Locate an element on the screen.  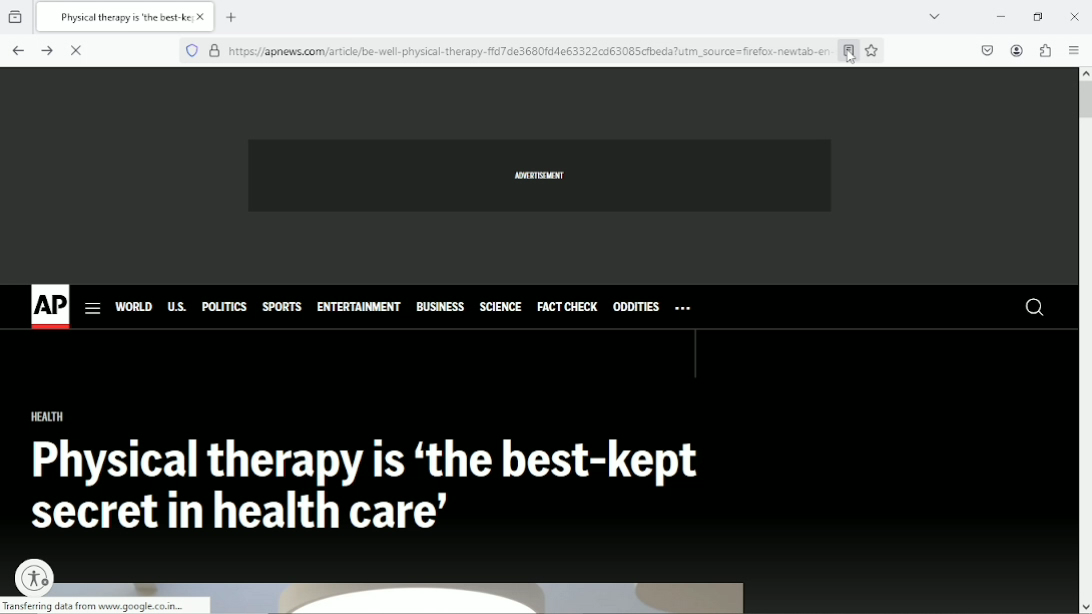
account is located at coordinates (1017, 52).